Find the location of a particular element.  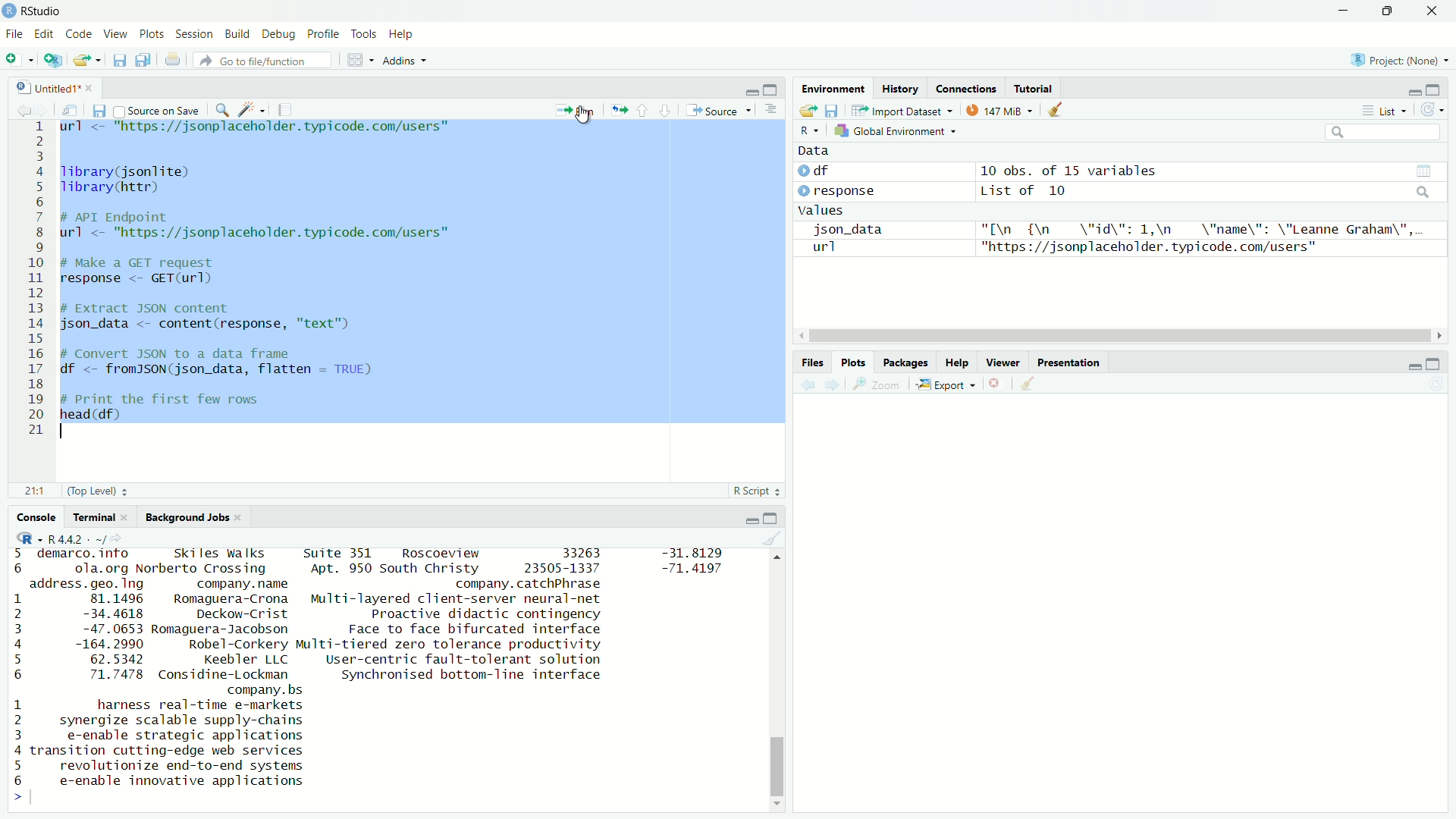

Session is located at coordinates (193, 34).